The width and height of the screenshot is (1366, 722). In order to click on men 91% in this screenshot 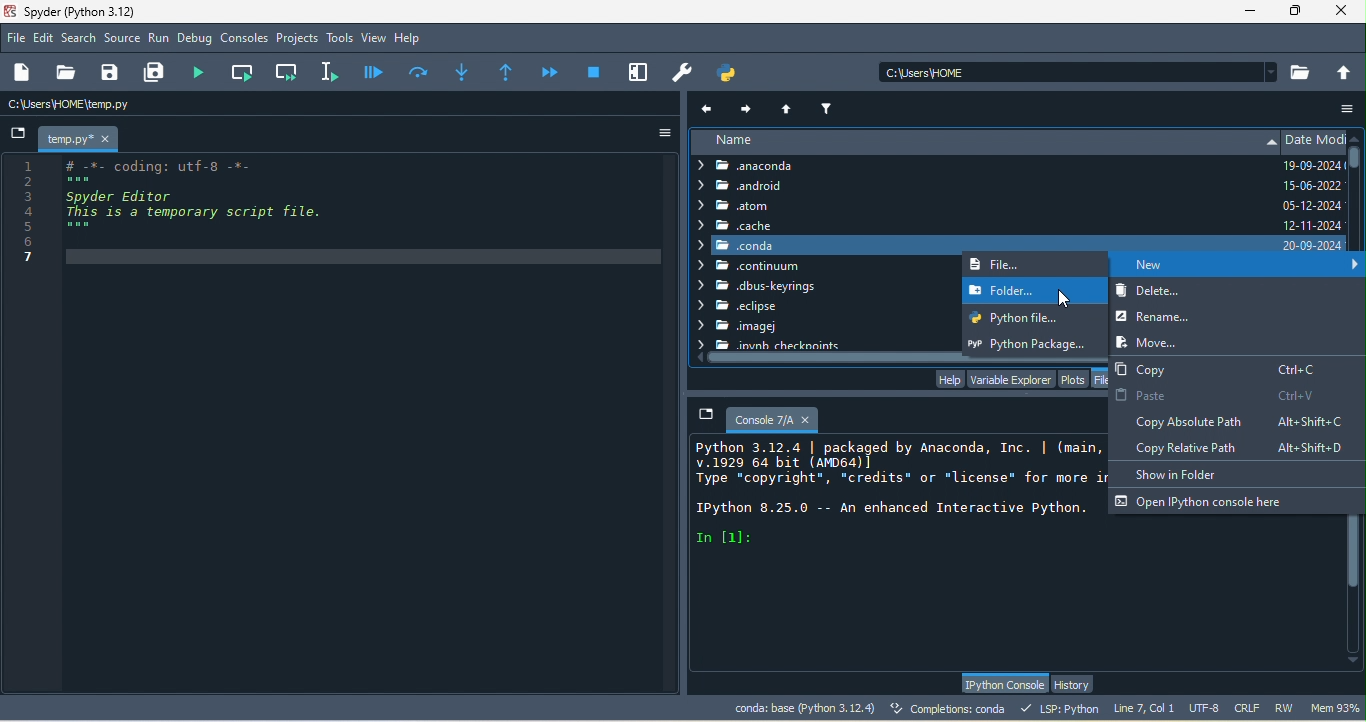, I will do `click(1338, 707)`.